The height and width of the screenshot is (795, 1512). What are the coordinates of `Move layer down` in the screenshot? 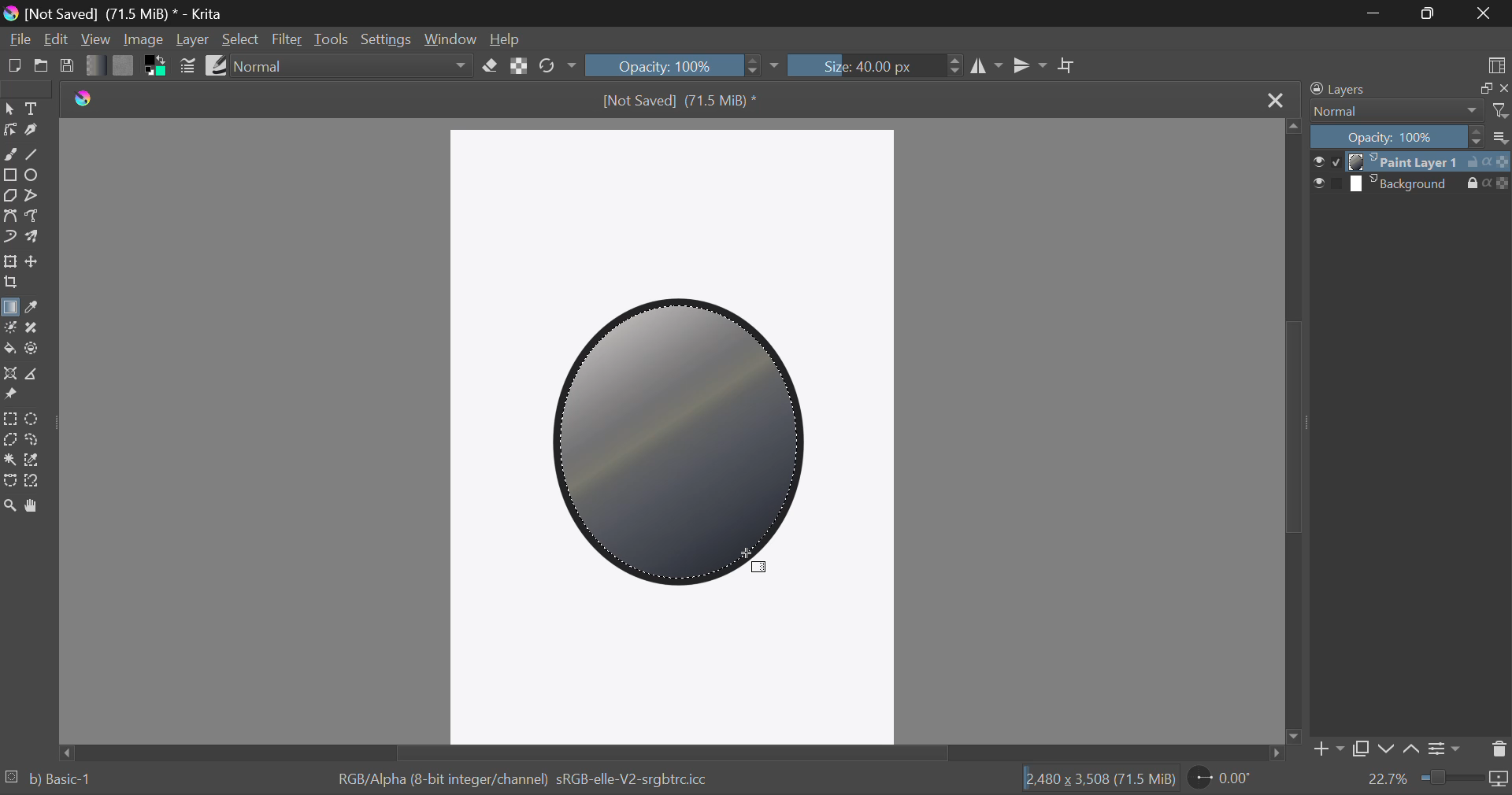 It's located at (1387, 751).